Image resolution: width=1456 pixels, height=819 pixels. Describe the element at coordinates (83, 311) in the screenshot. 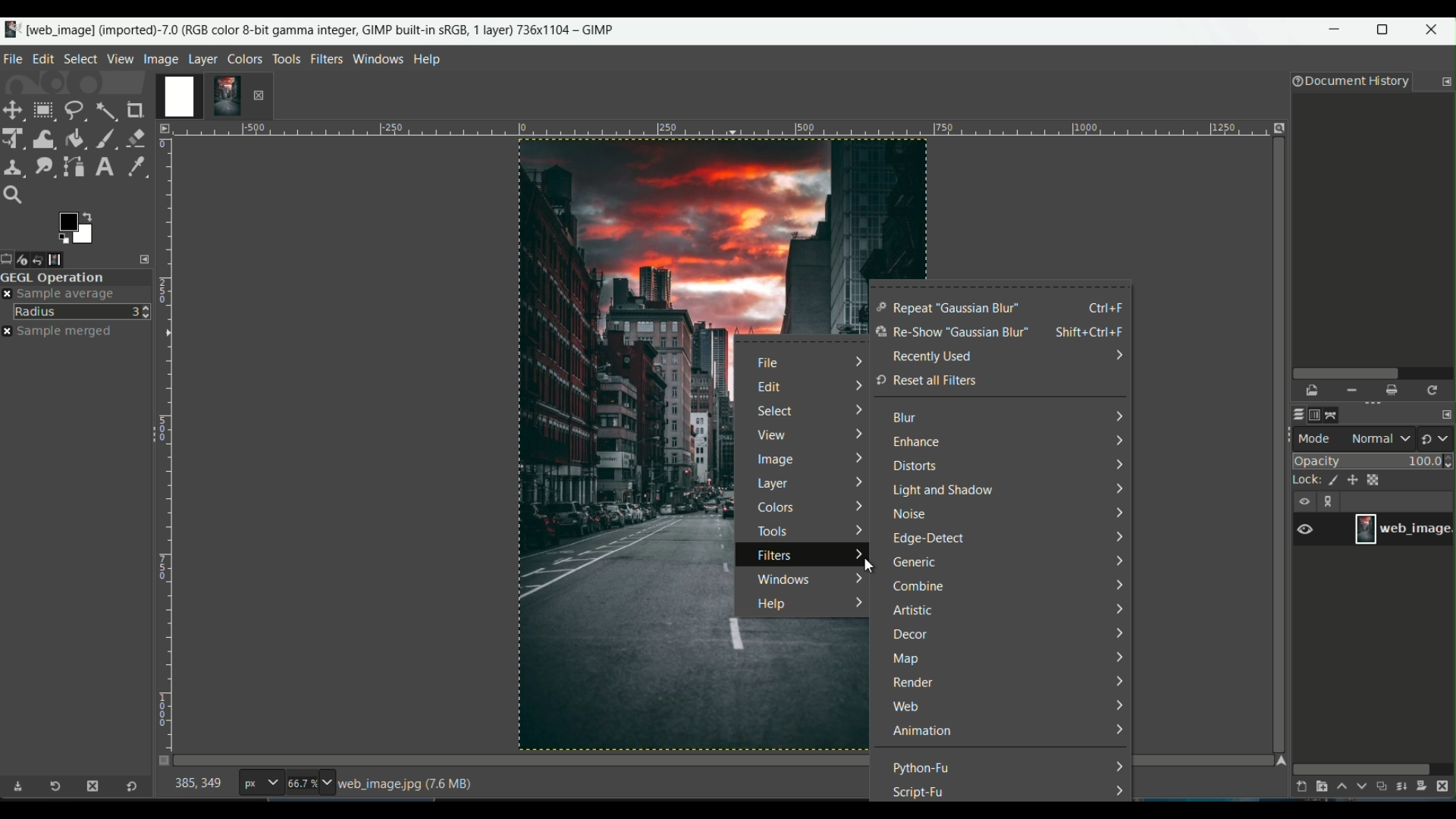

I see `color picker average radius` at that location.